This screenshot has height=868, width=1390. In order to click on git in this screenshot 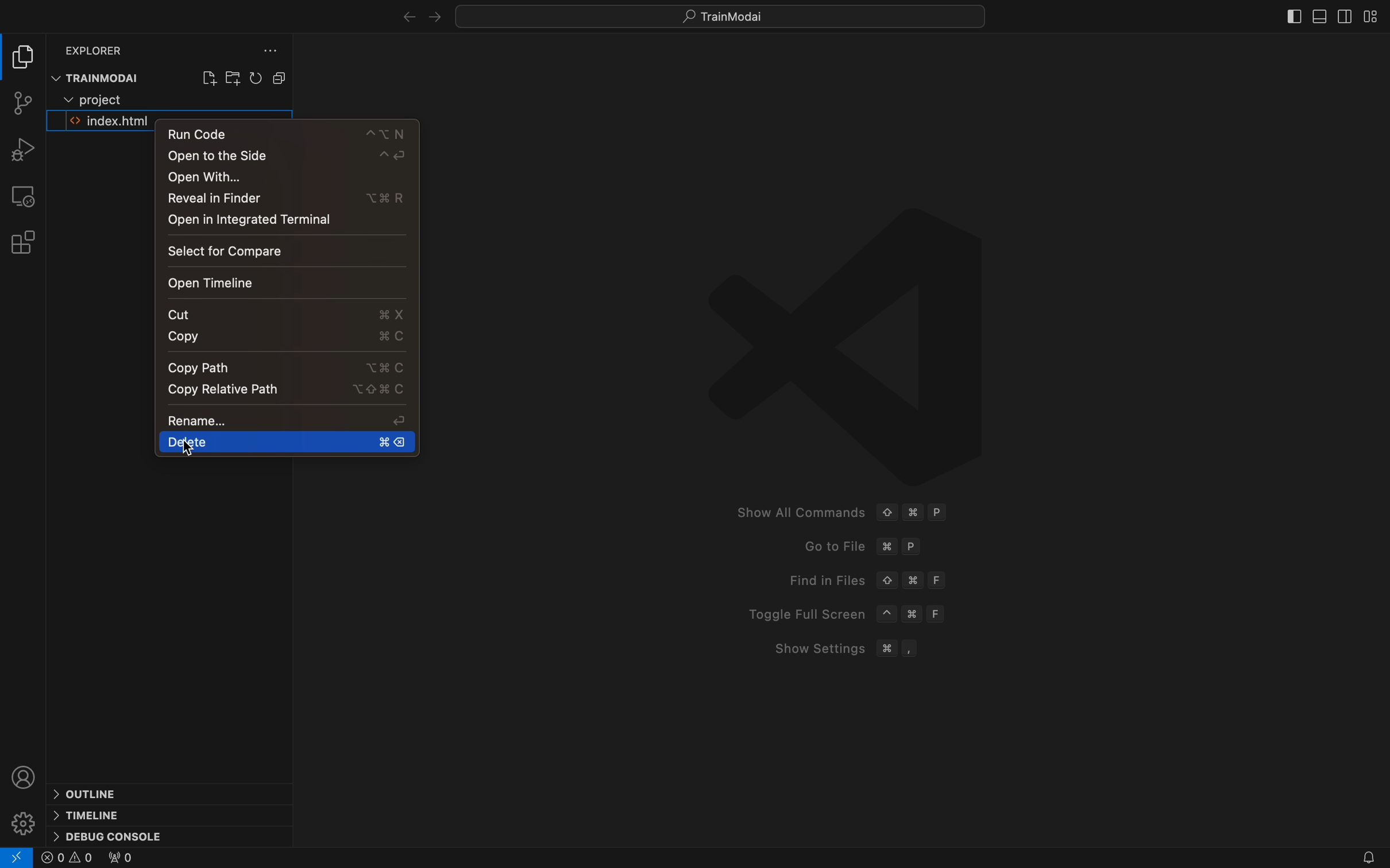, I will do `click(21, 101)`.